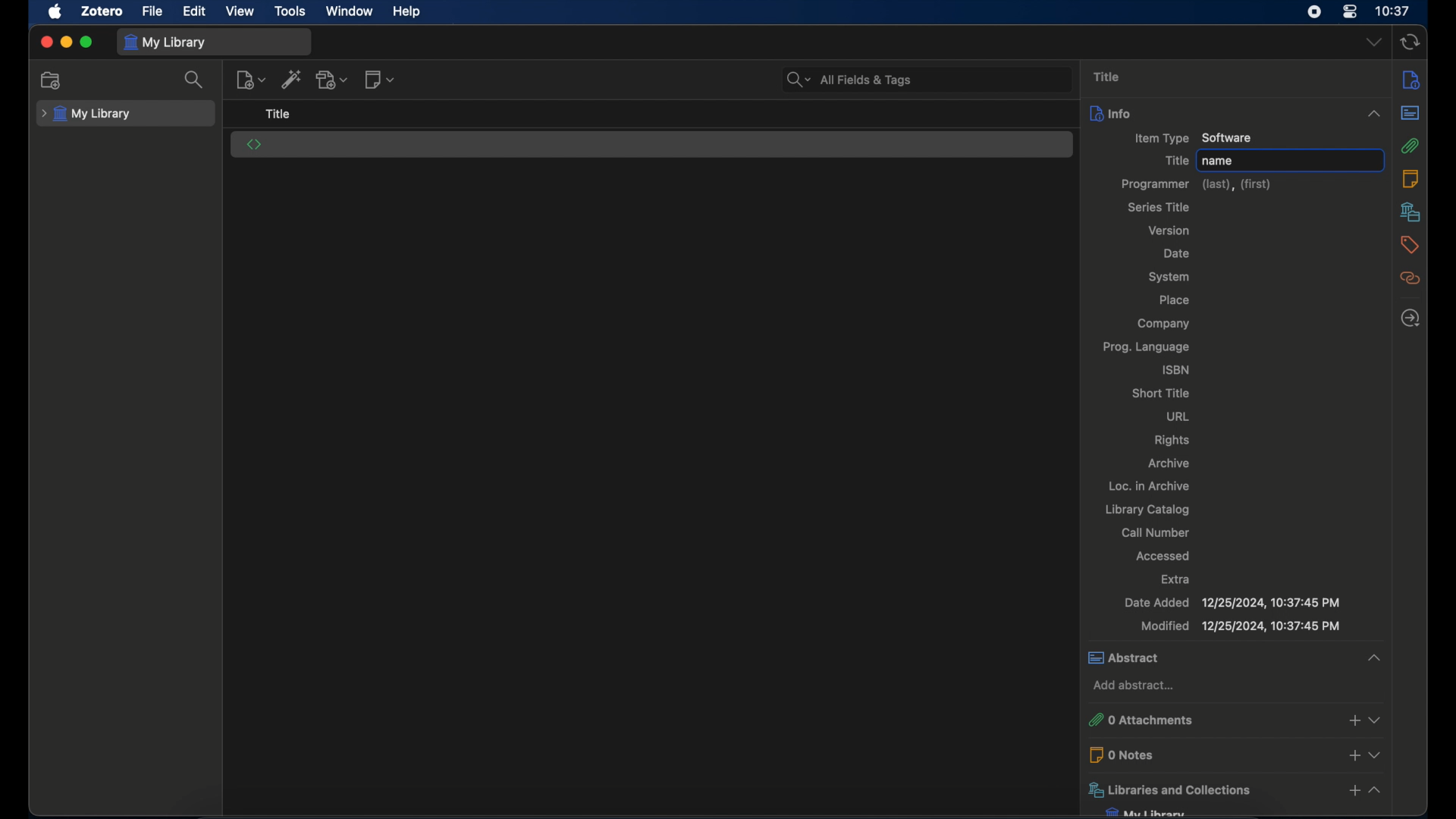  What do you see at coordinates (241, 12) in the screenshot?
I see `view` at bounding box center [241, 12].